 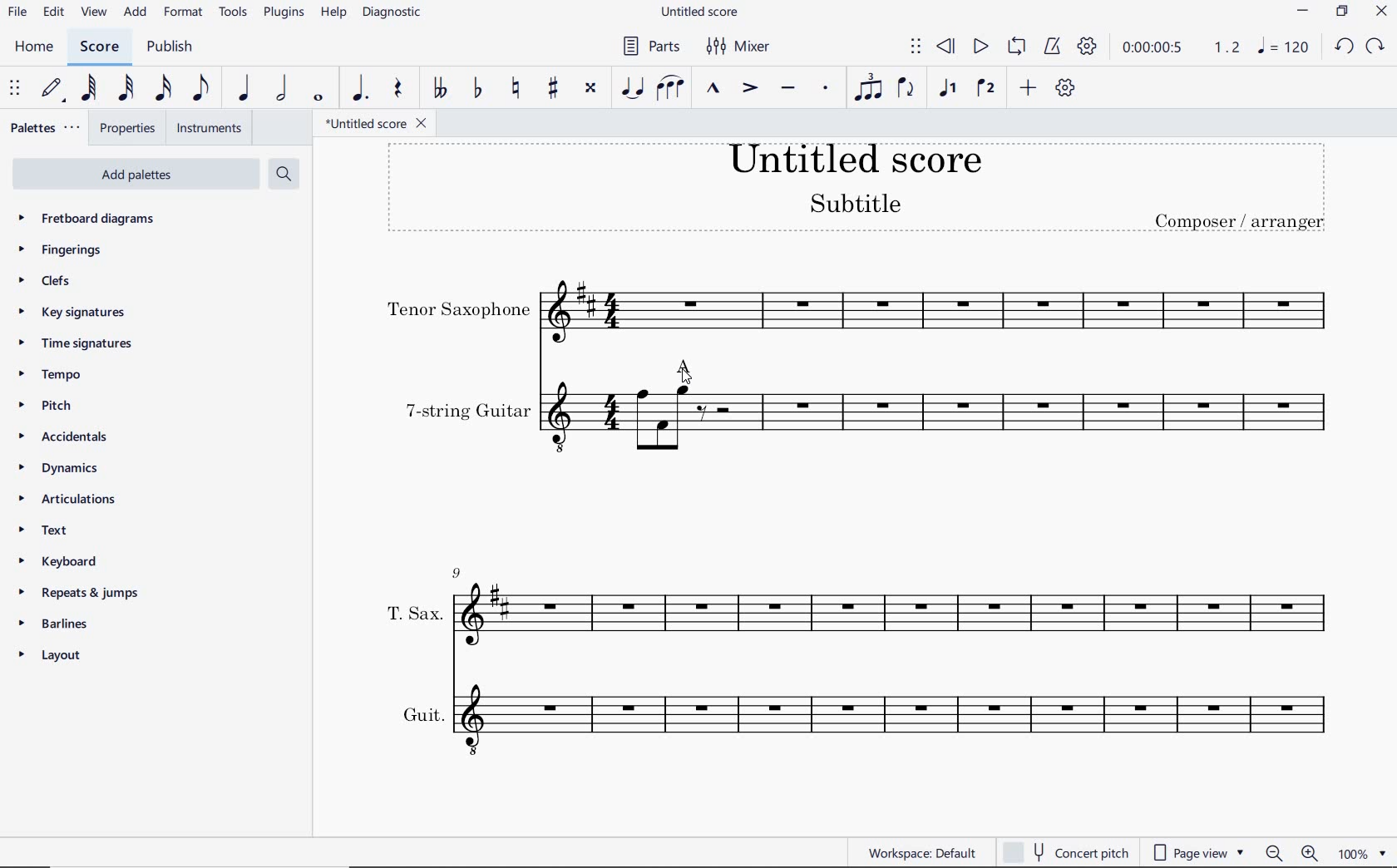 What do you see at coordinates (280, 89) in the screenshot?
I see `HALF NOTE` at bounding box center [280, 89].